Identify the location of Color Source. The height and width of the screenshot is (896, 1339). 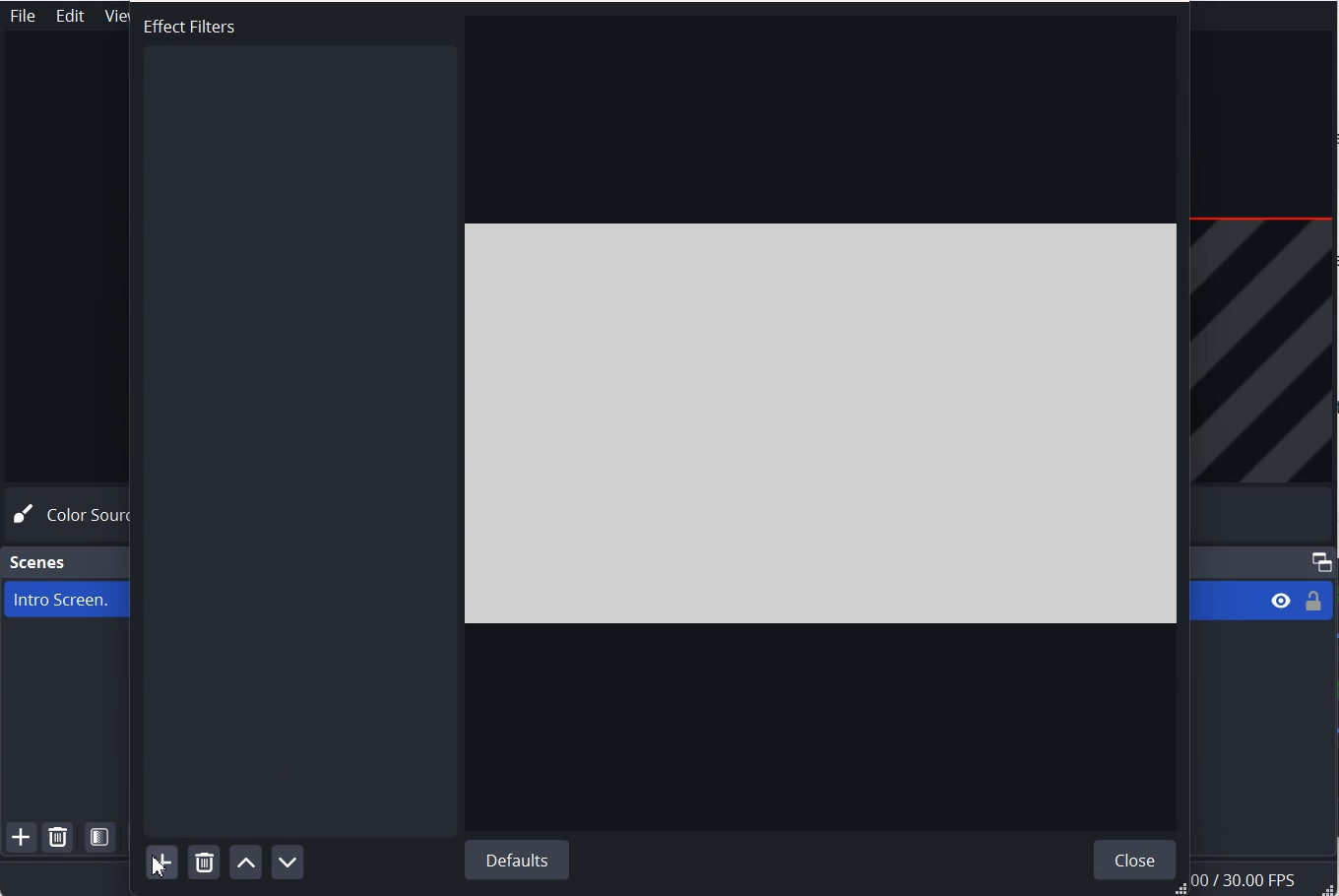
(65, 515).